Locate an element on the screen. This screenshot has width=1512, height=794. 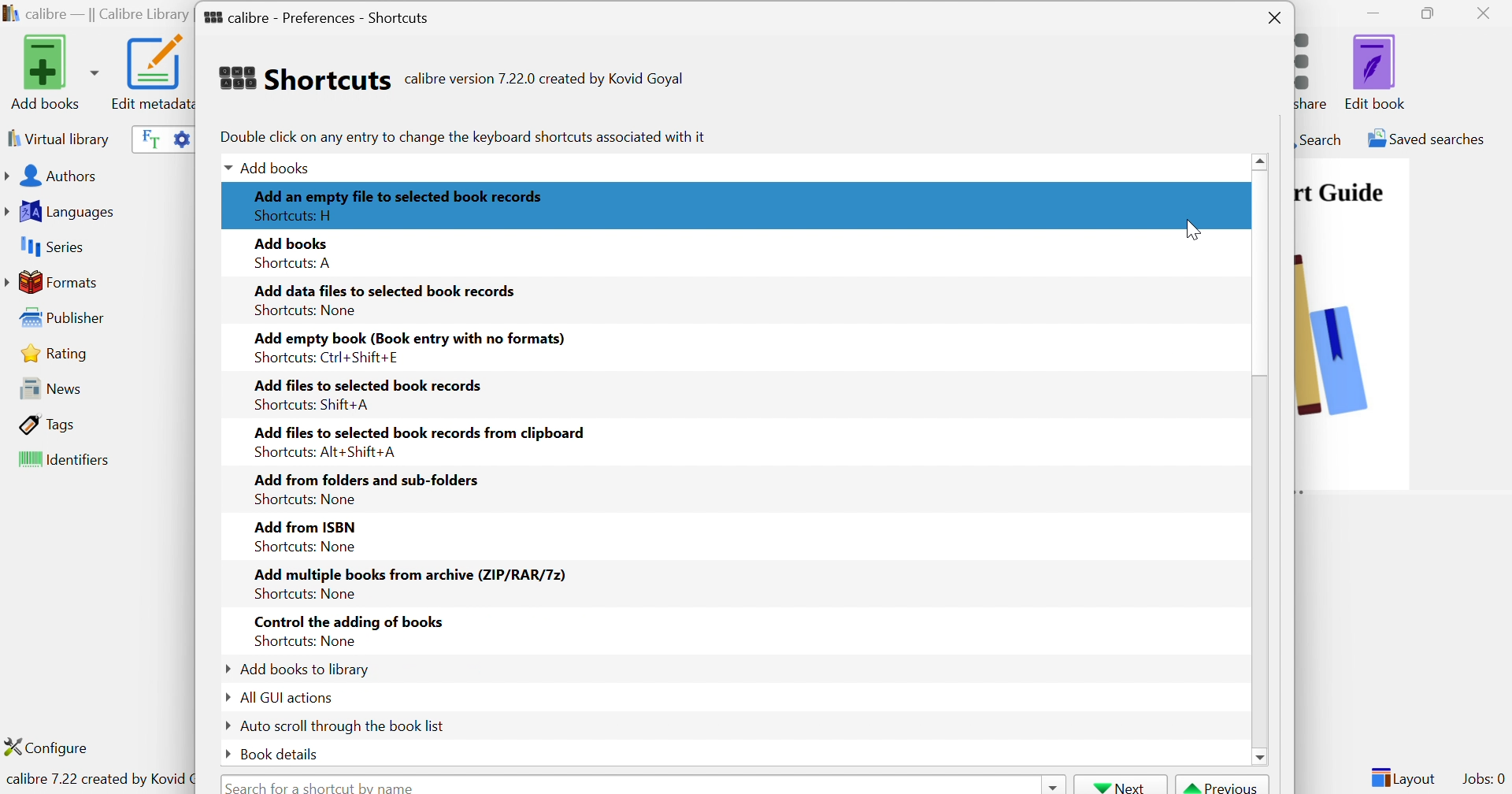
calibre version 7.22.0 created by Kovid Goyal is located at coordinates (544, 80).